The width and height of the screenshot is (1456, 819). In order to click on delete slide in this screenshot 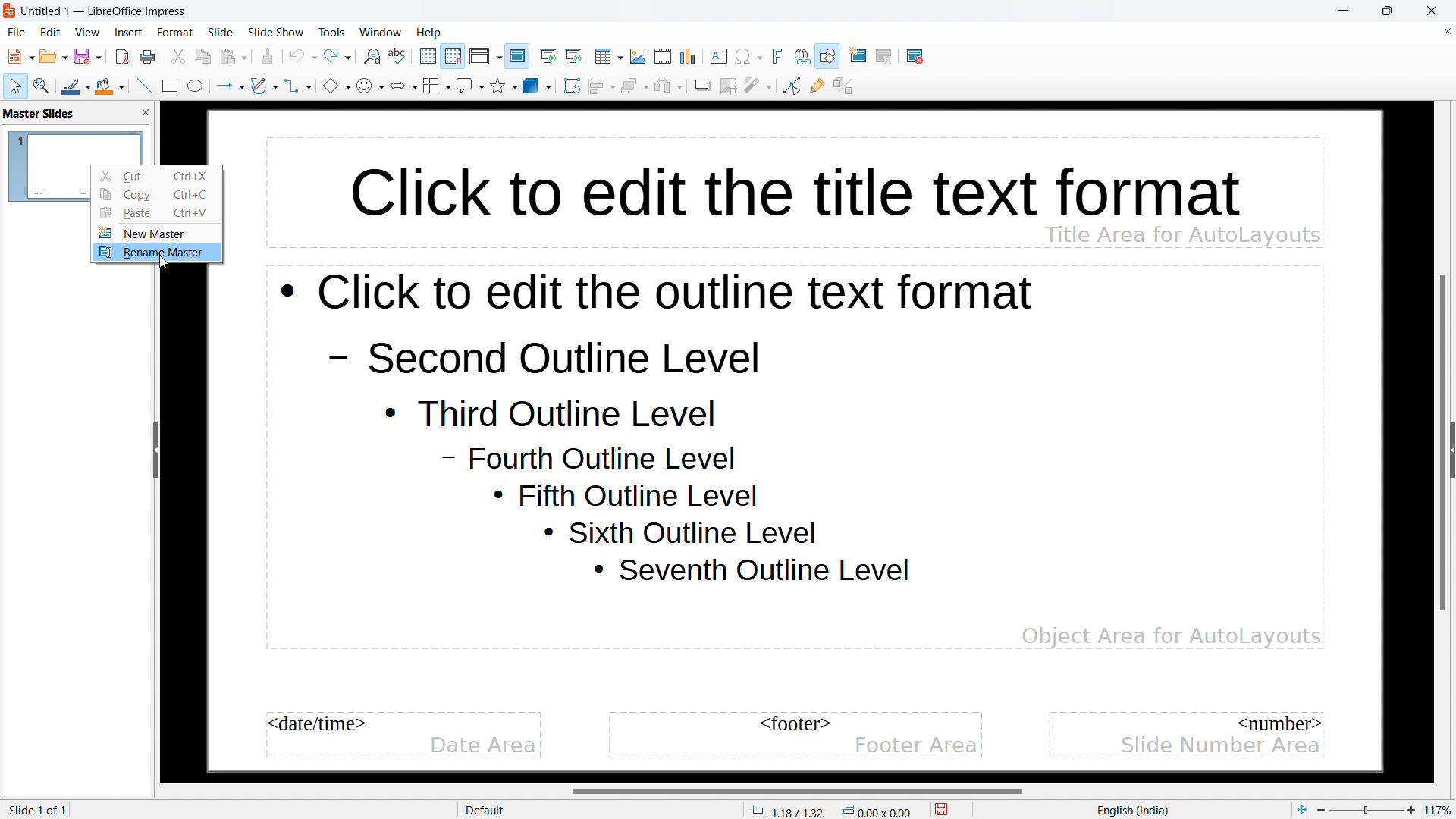, I will do `click(918, 58)`.